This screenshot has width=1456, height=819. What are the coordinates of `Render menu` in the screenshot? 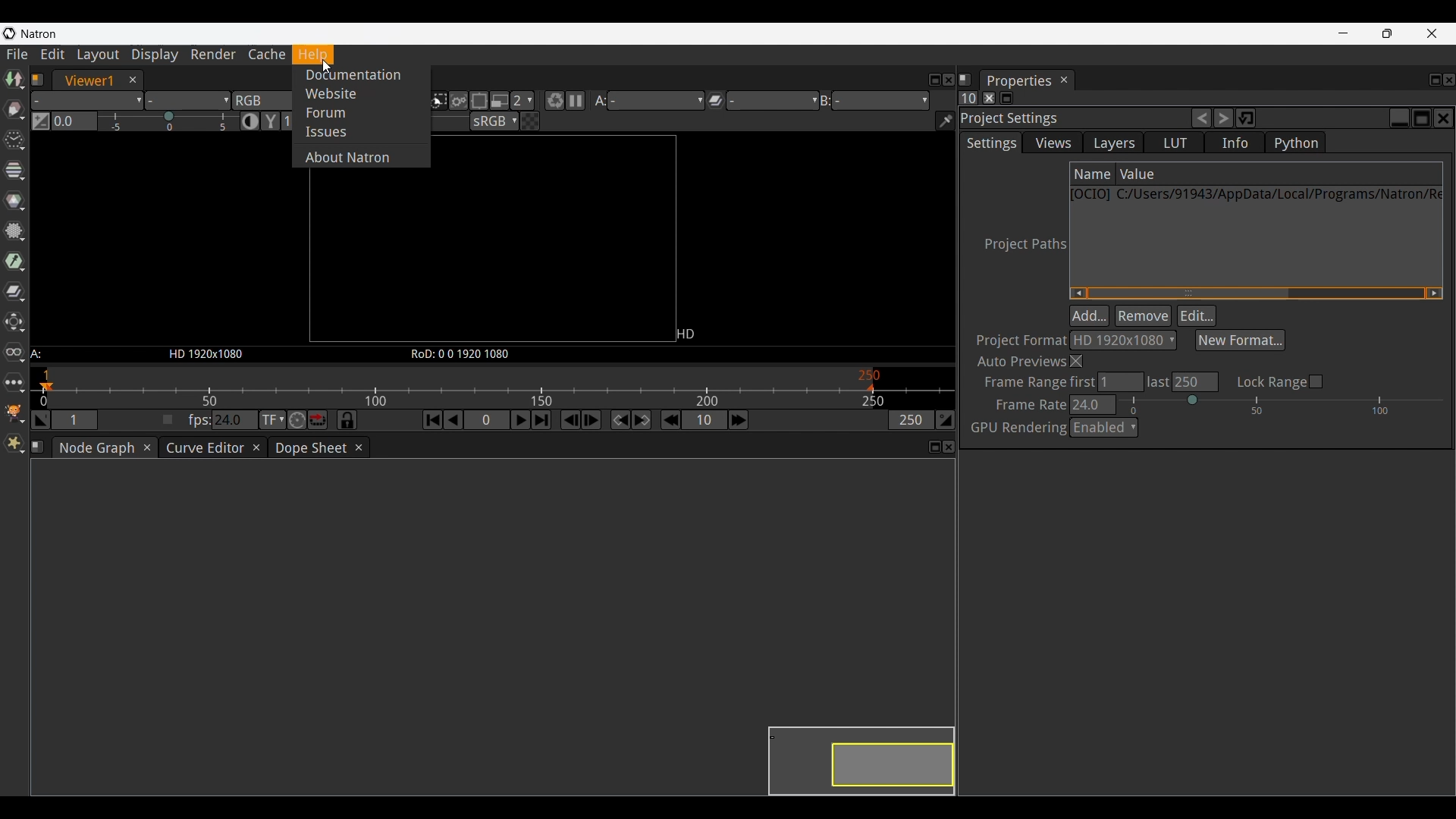 It's located at (213, 55).